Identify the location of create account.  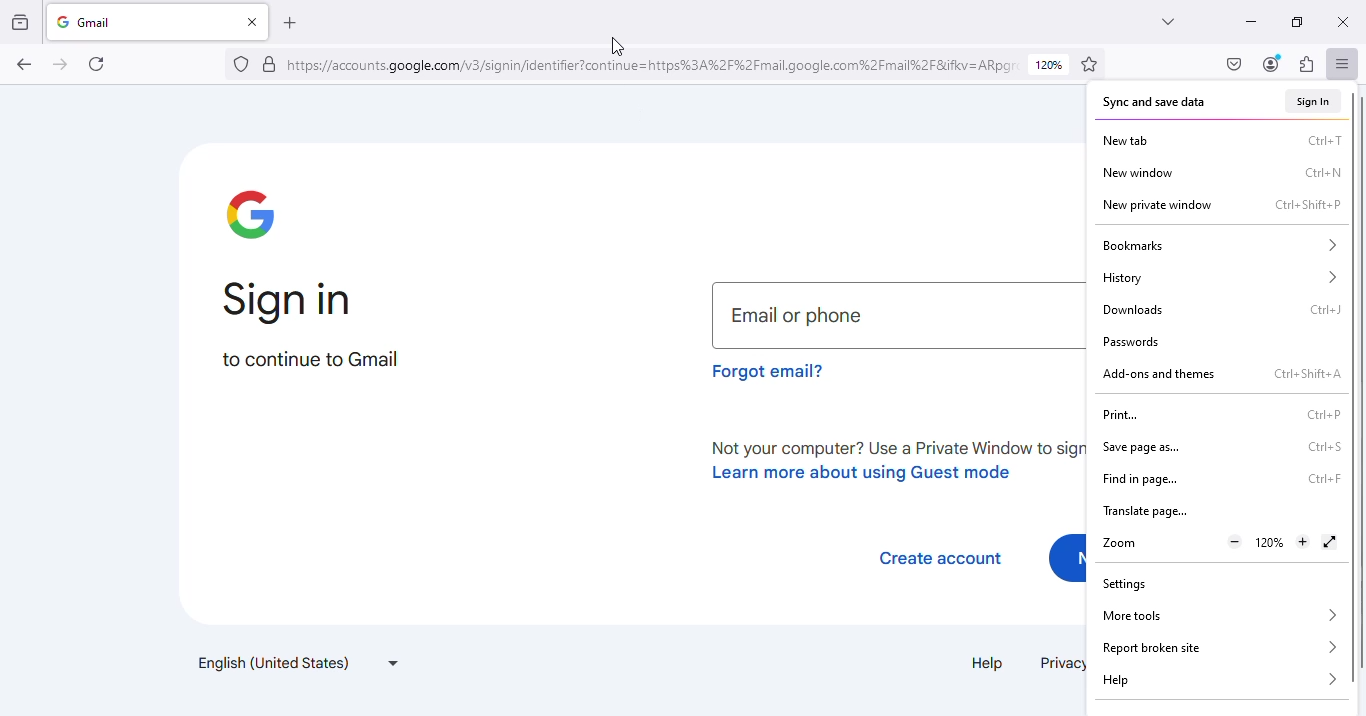
(940, 558).